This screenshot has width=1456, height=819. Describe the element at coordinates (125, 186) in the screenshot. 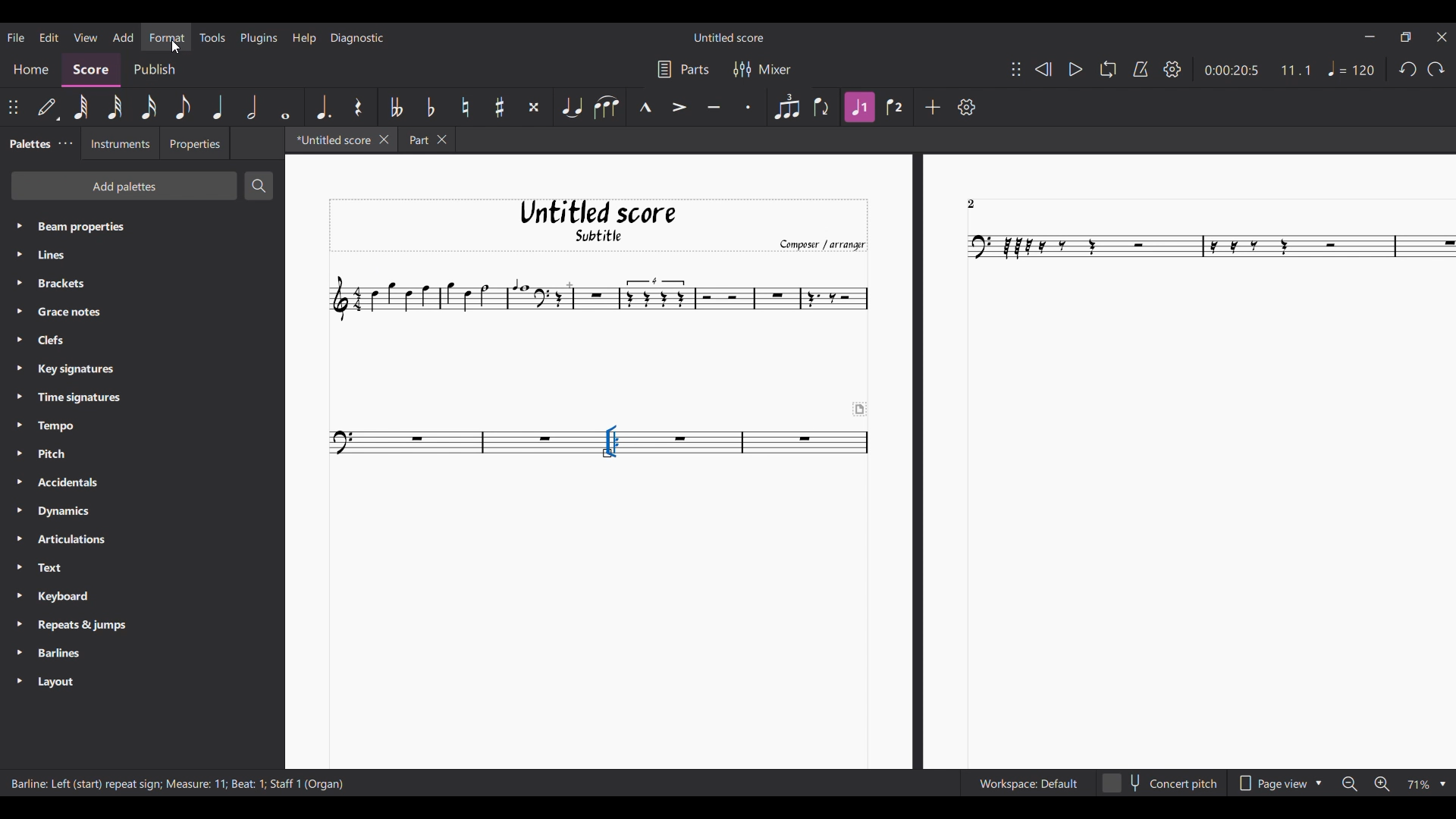

I see `Add palette` at that location.